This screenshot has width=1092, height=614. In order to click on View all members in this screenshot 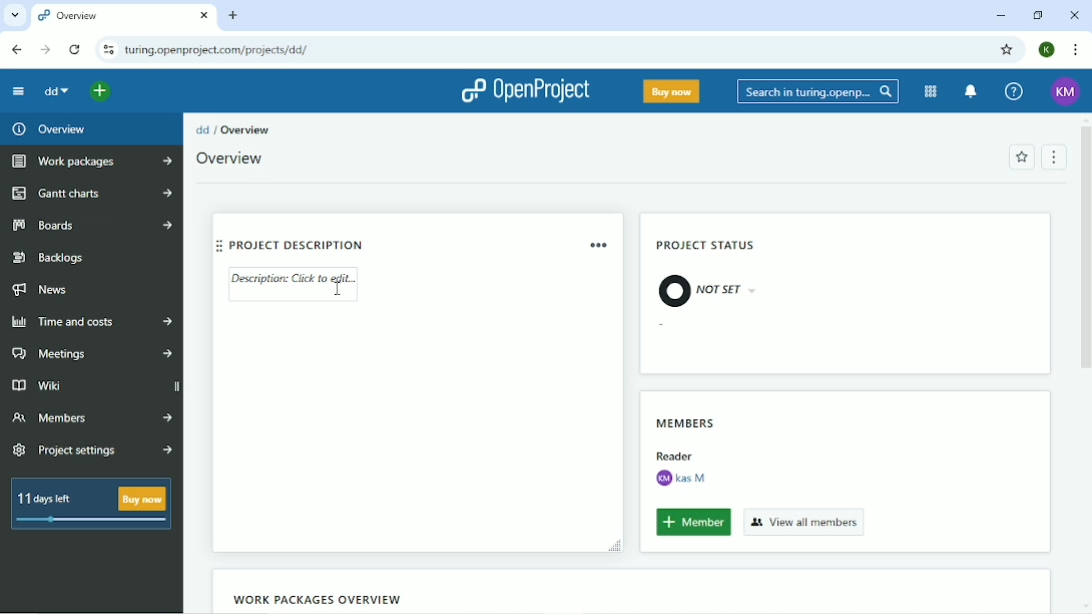, I will do `click(805, 521)`.